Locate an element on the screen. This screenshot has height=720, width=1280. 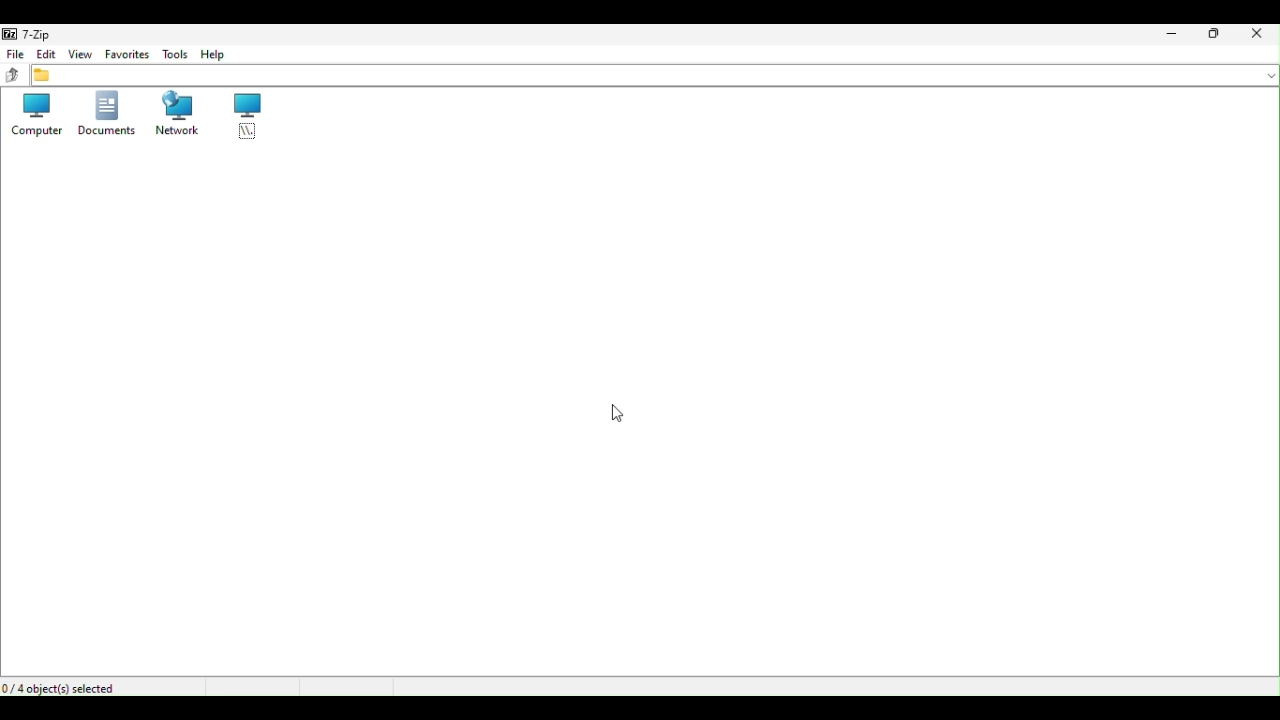
up is located at coordinates (13, 76).